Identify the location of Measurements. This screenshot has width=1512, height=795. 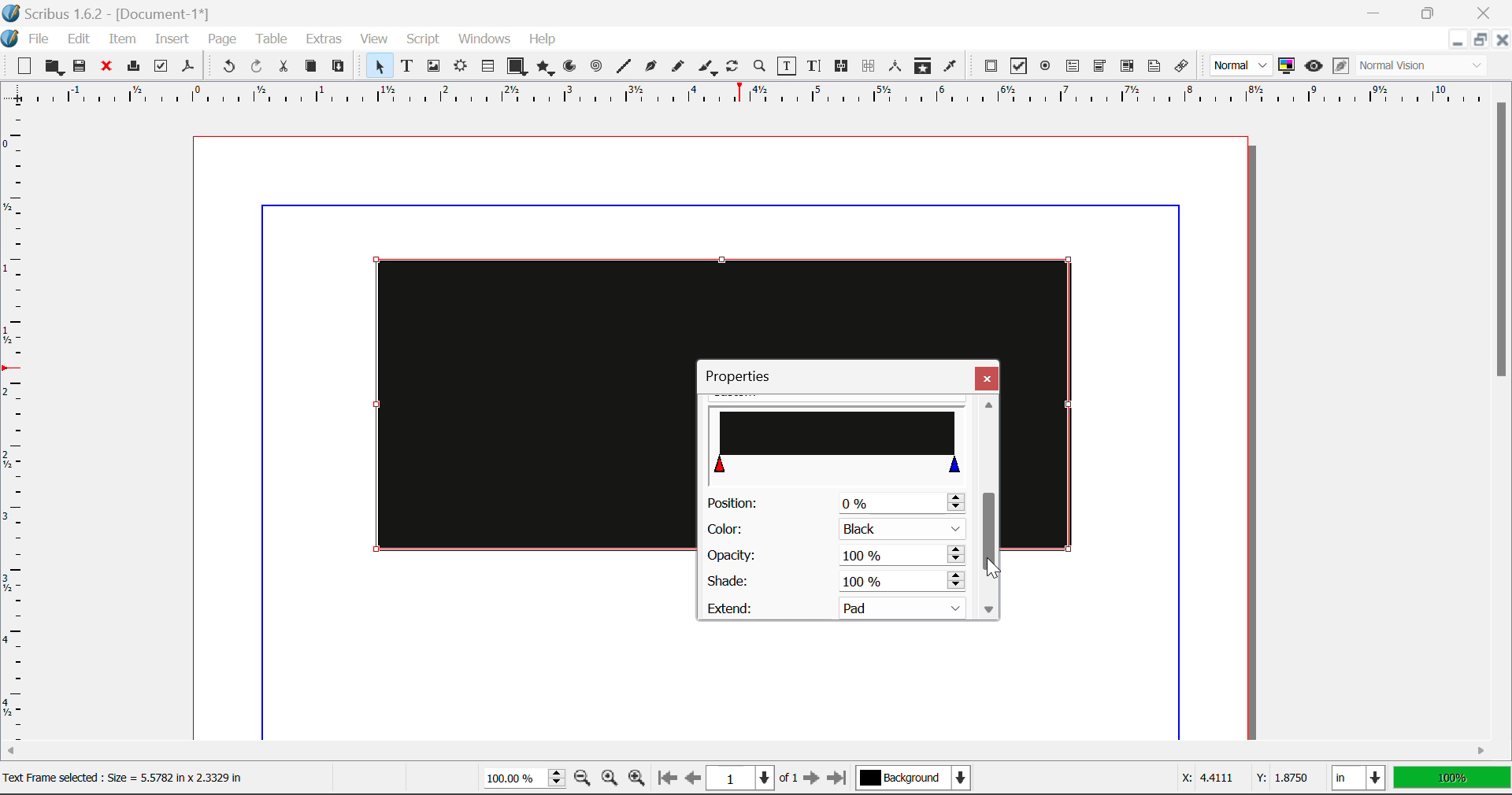
(896, 66).